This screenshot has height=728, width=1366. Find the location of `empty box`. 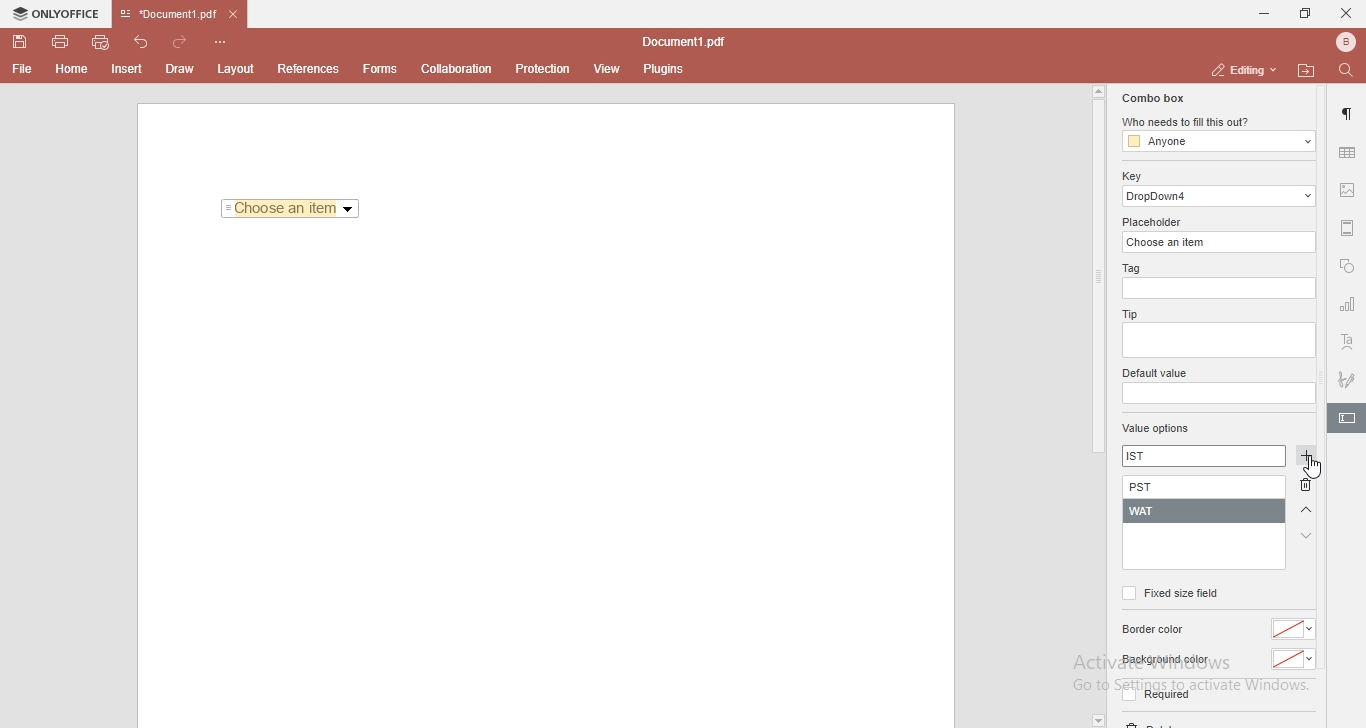

empty box is located at coordinates (1217, 394).